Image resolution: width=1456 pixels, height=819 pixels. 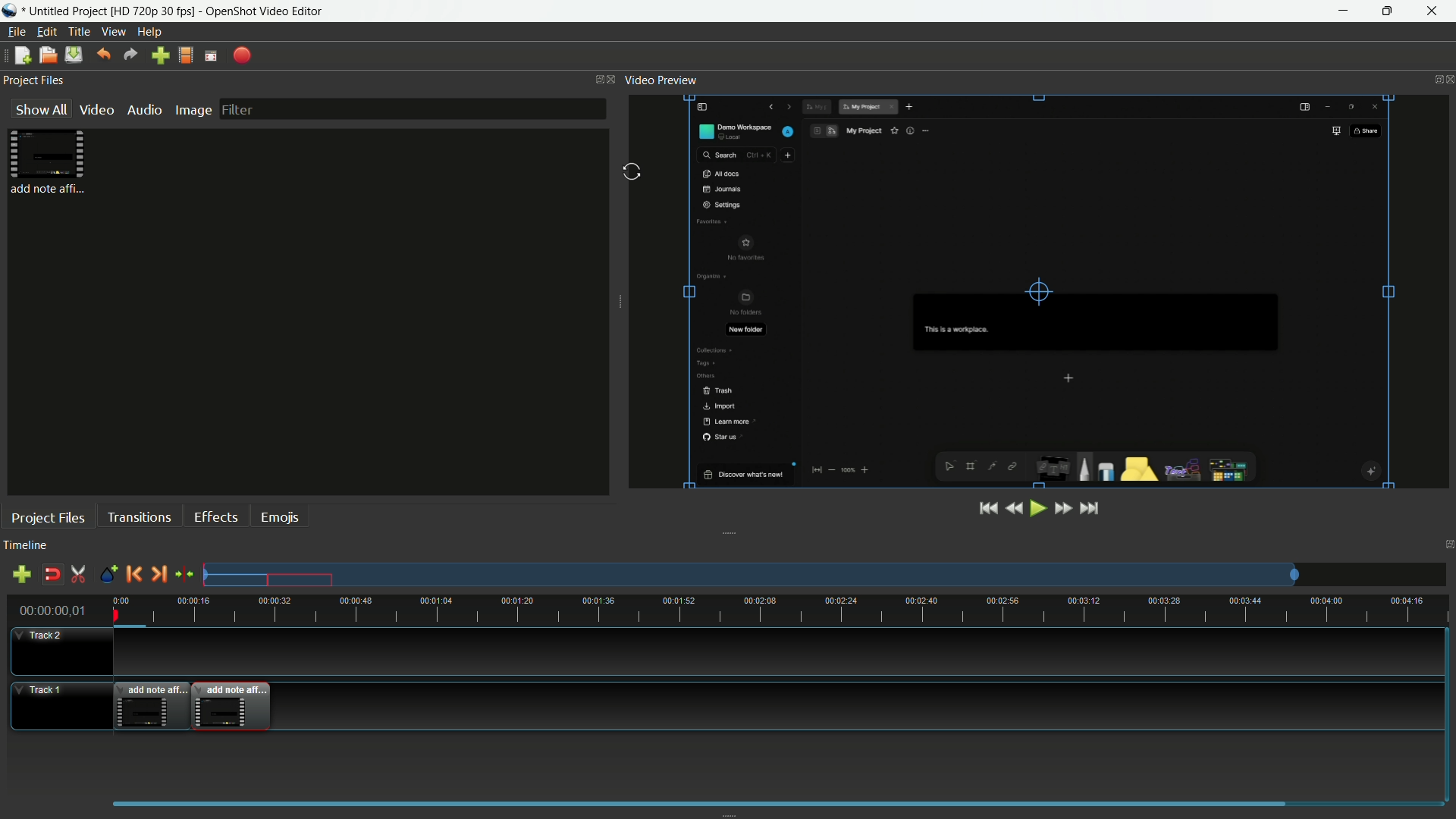 I want to click on view menu, so click(x=113, y=32).